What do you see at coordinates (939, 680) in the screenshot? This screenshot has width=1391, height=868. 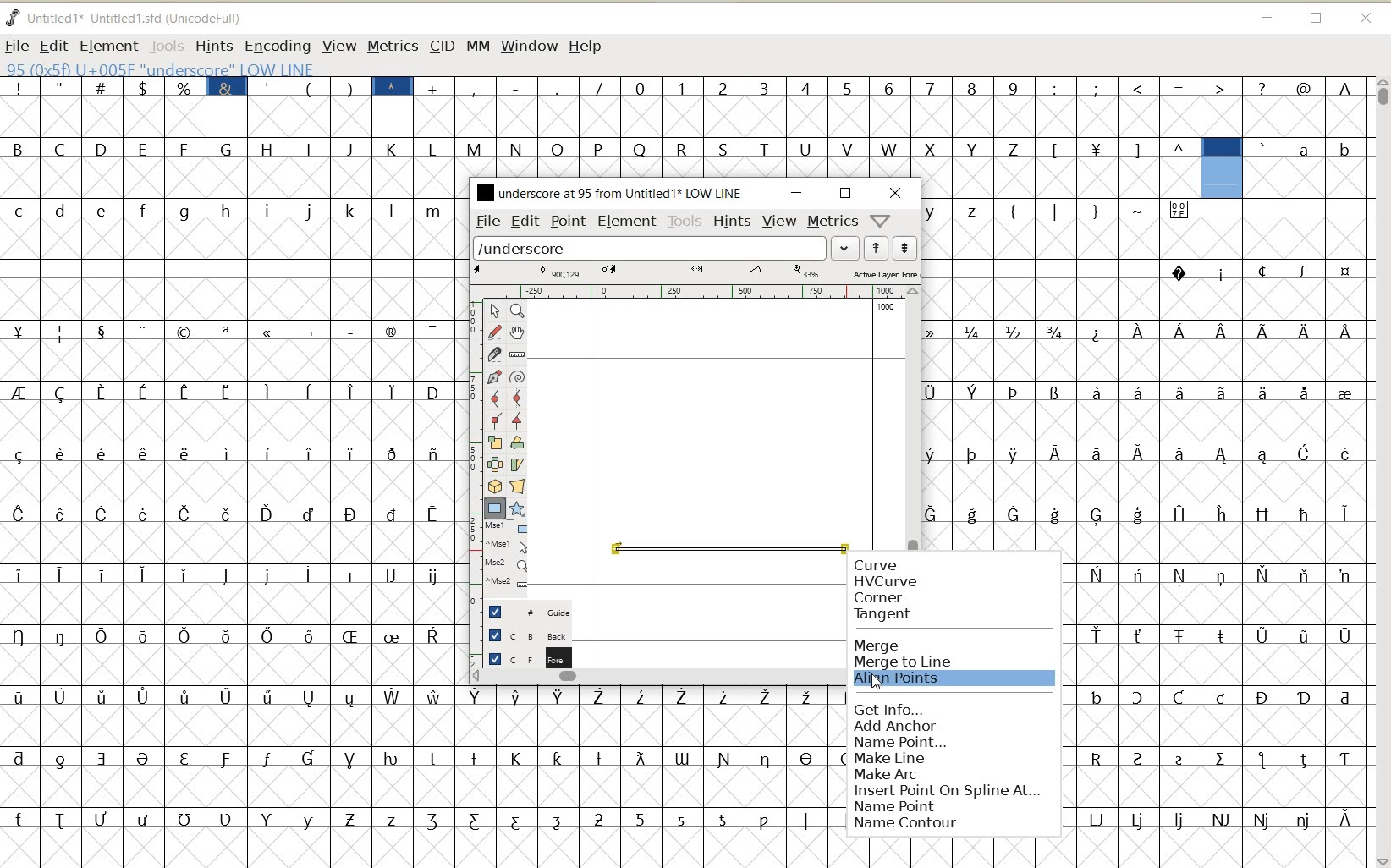 I see `align points` at bounding box center [939, 680].